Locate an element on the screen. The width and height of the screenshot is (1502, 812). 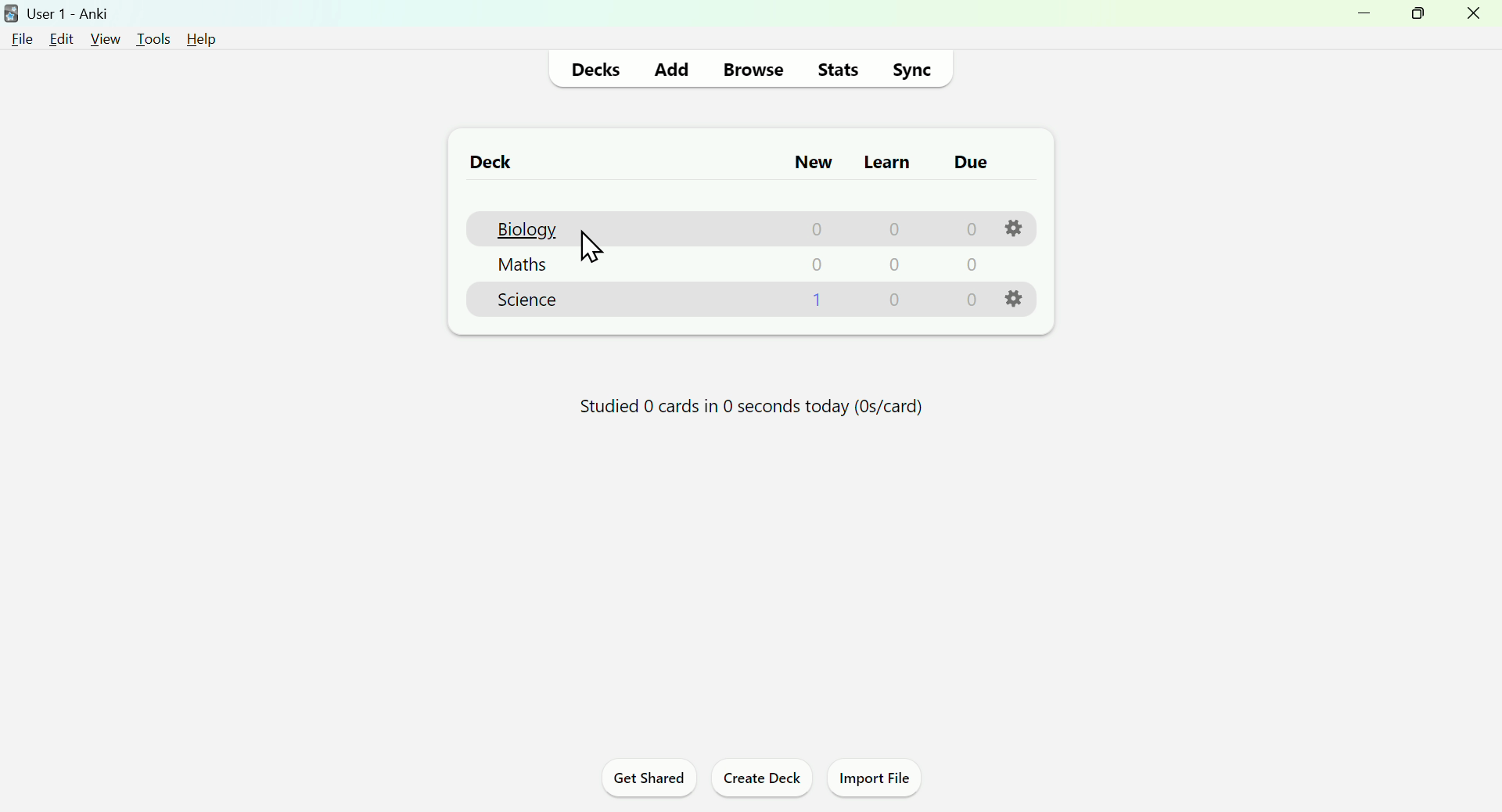
Biology is located at coordinates (524, 228).